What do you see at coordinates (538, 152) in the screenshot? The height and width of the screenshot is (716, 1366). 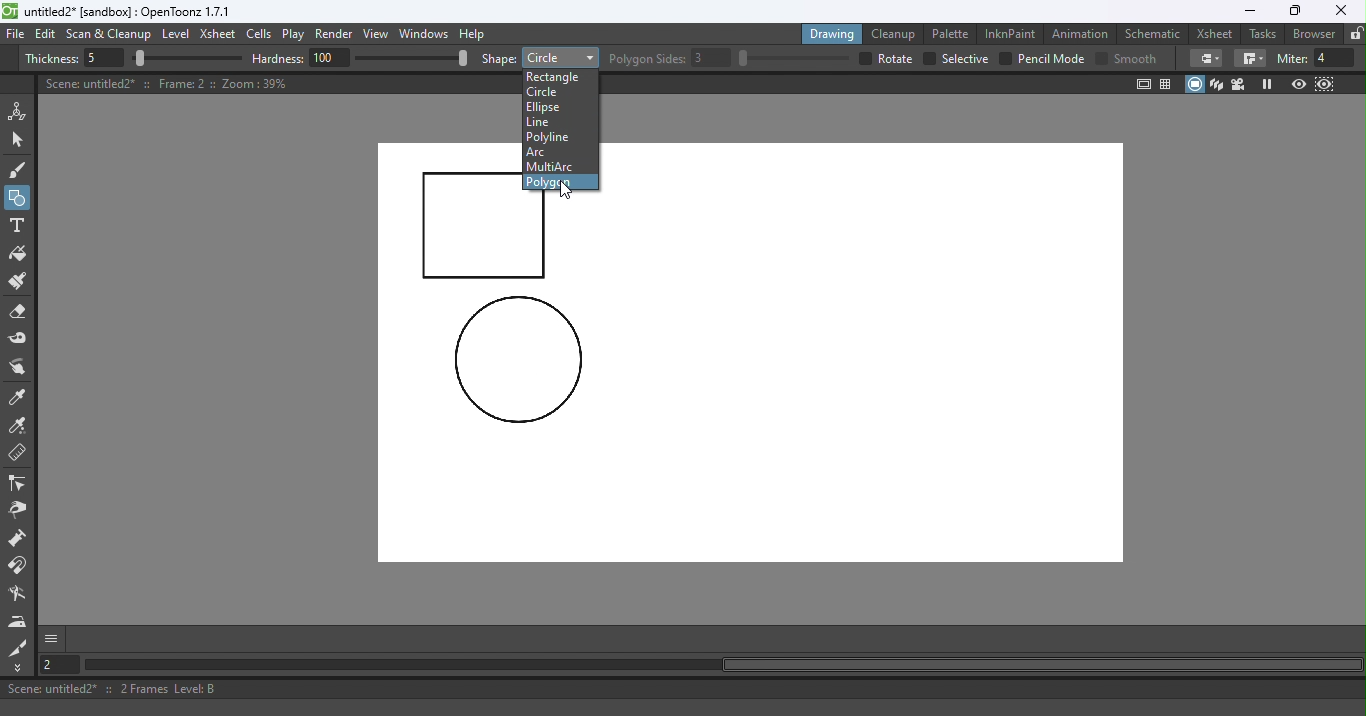 I see `Arc` at bounding box center [538, 152].